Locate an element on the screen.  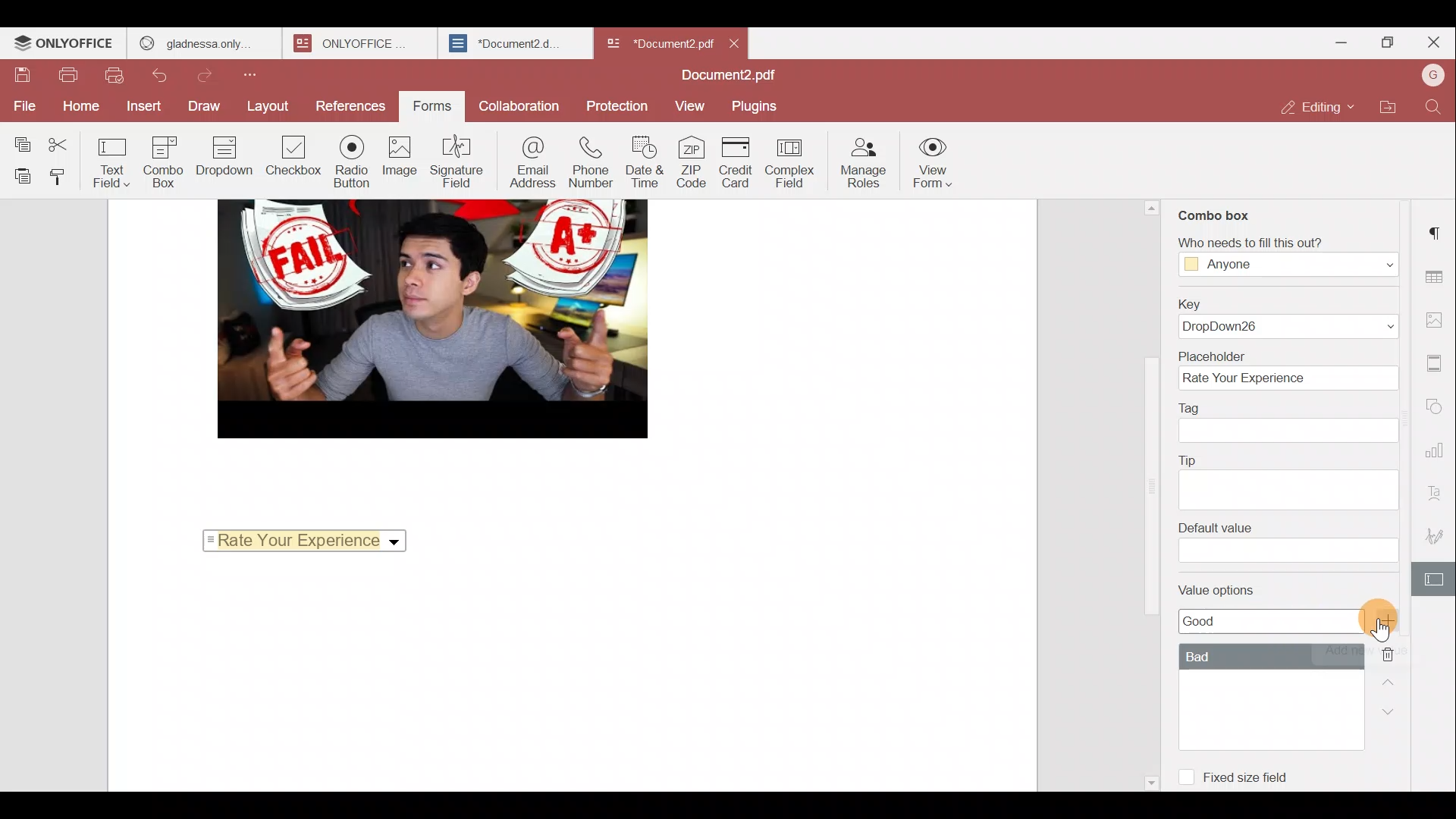
Fixed size field is located at coordinates (1236, 773).